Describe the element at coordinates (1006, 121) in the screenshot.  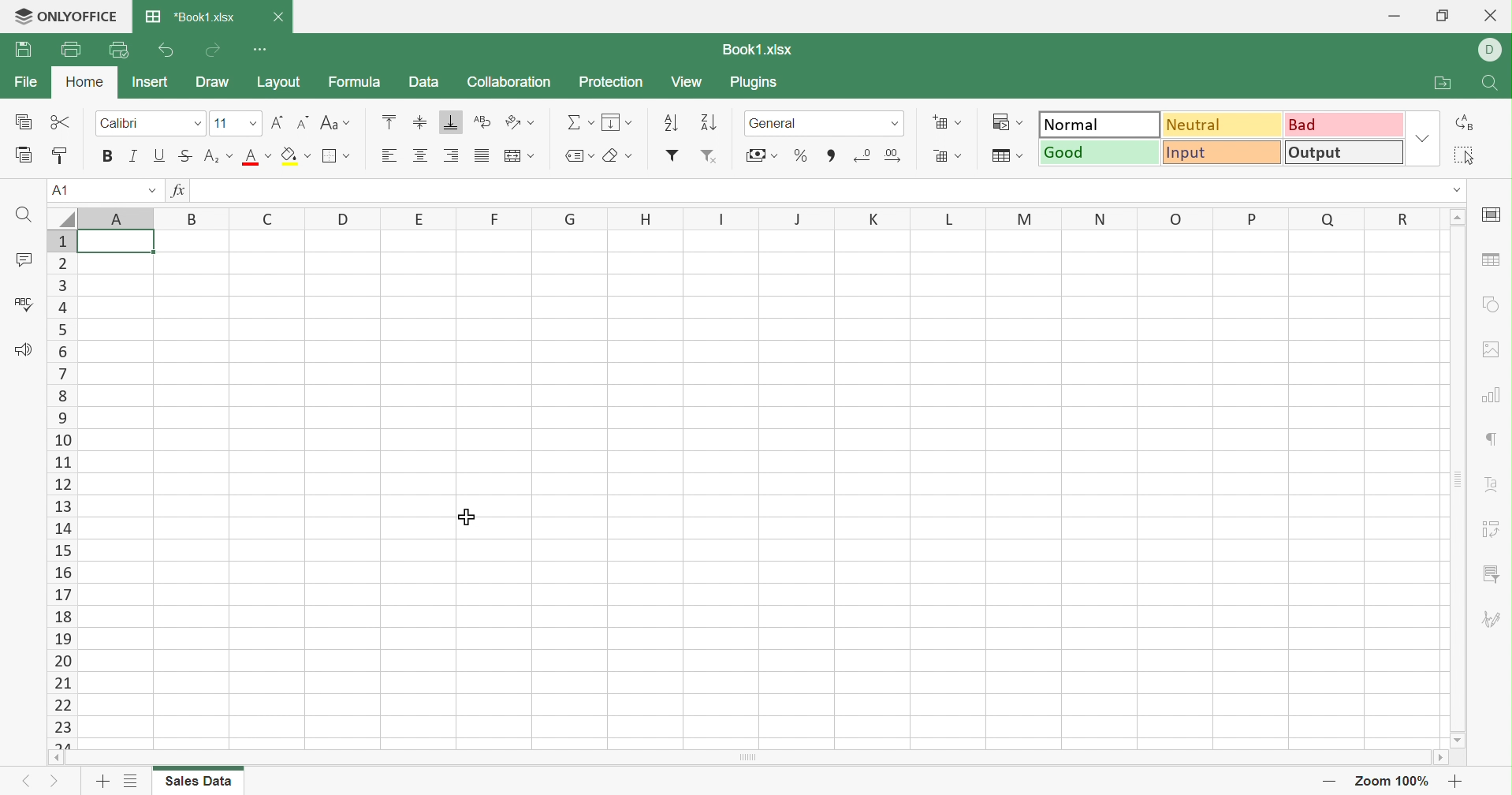
I see `Conditional formatting` at that location.